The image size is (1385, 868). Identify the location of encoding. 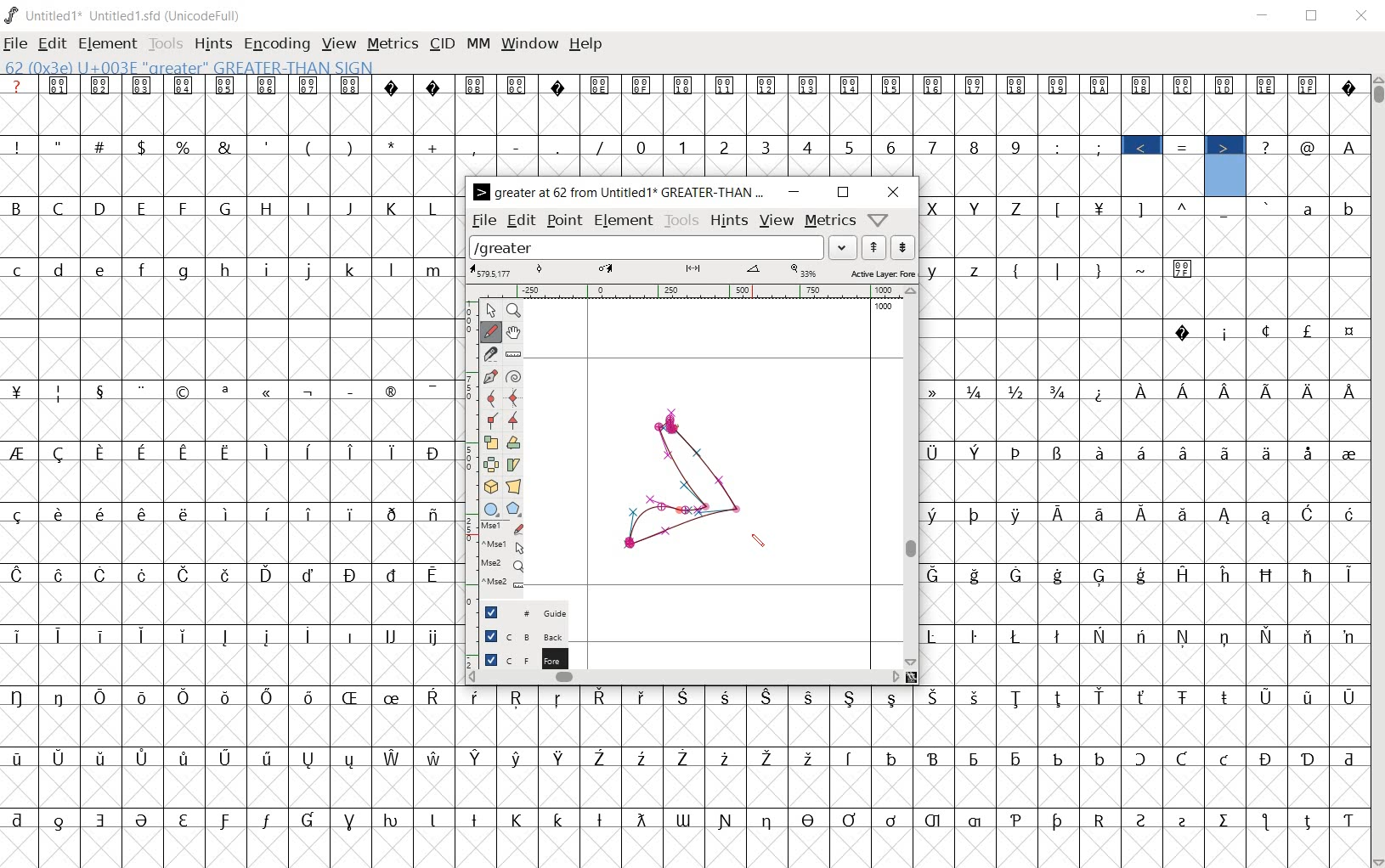
(275, 44).